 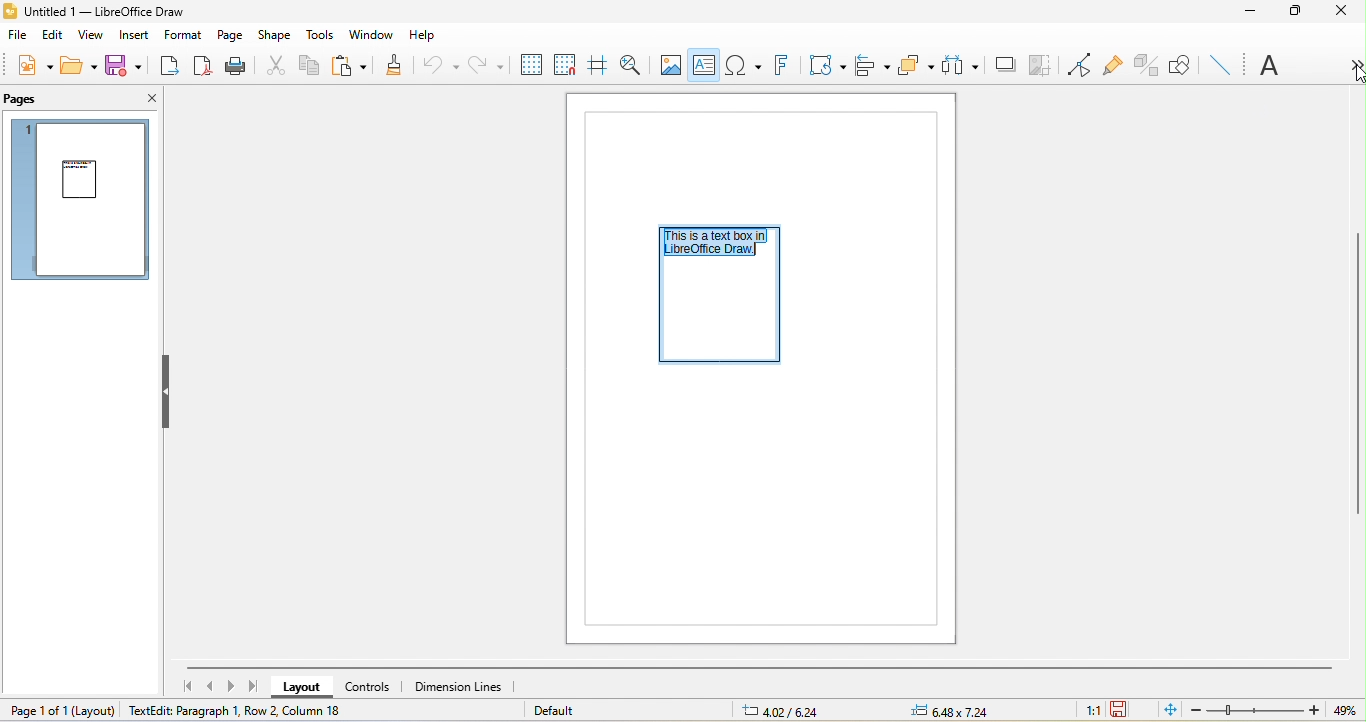 I want to click on 1:1, so click(x=1092, y=710).